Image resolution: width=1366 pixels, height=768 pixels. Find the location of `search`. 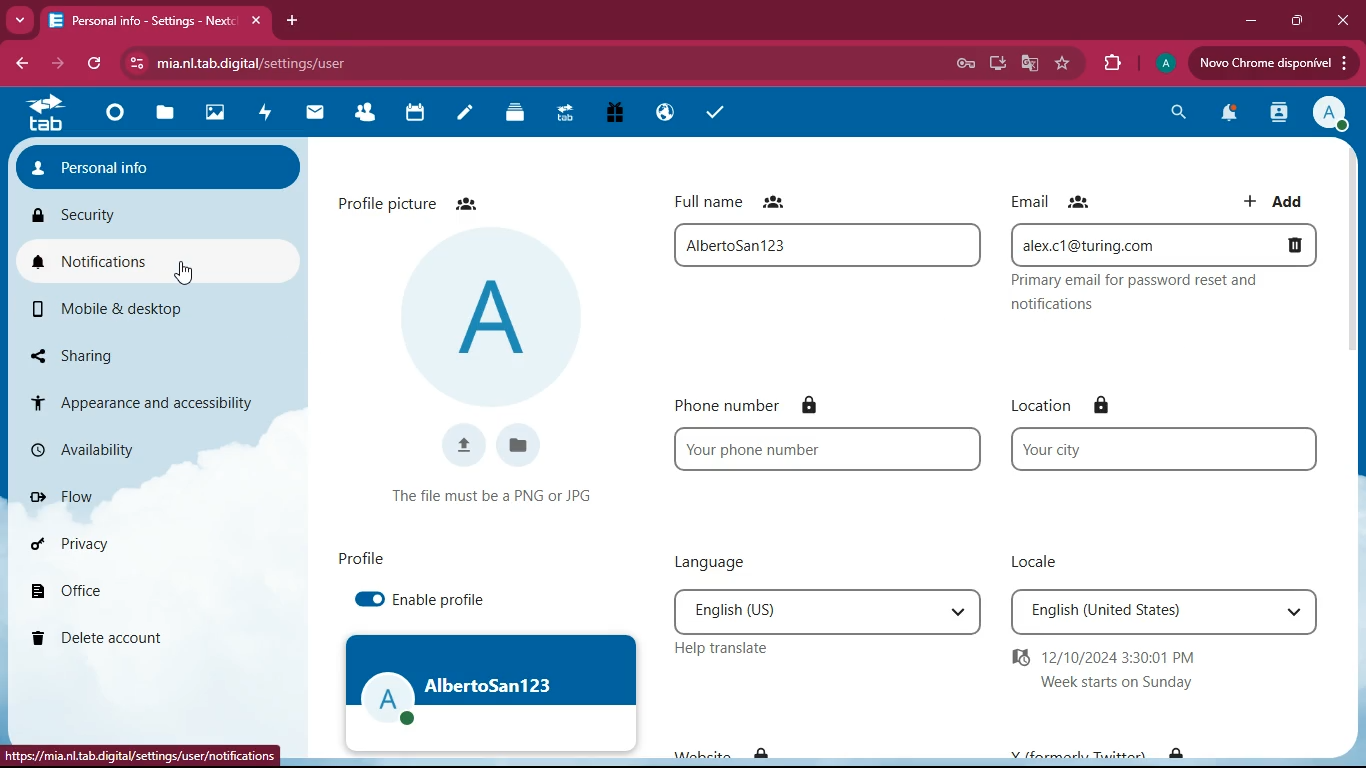

search is located at coordinates (1176, 111).